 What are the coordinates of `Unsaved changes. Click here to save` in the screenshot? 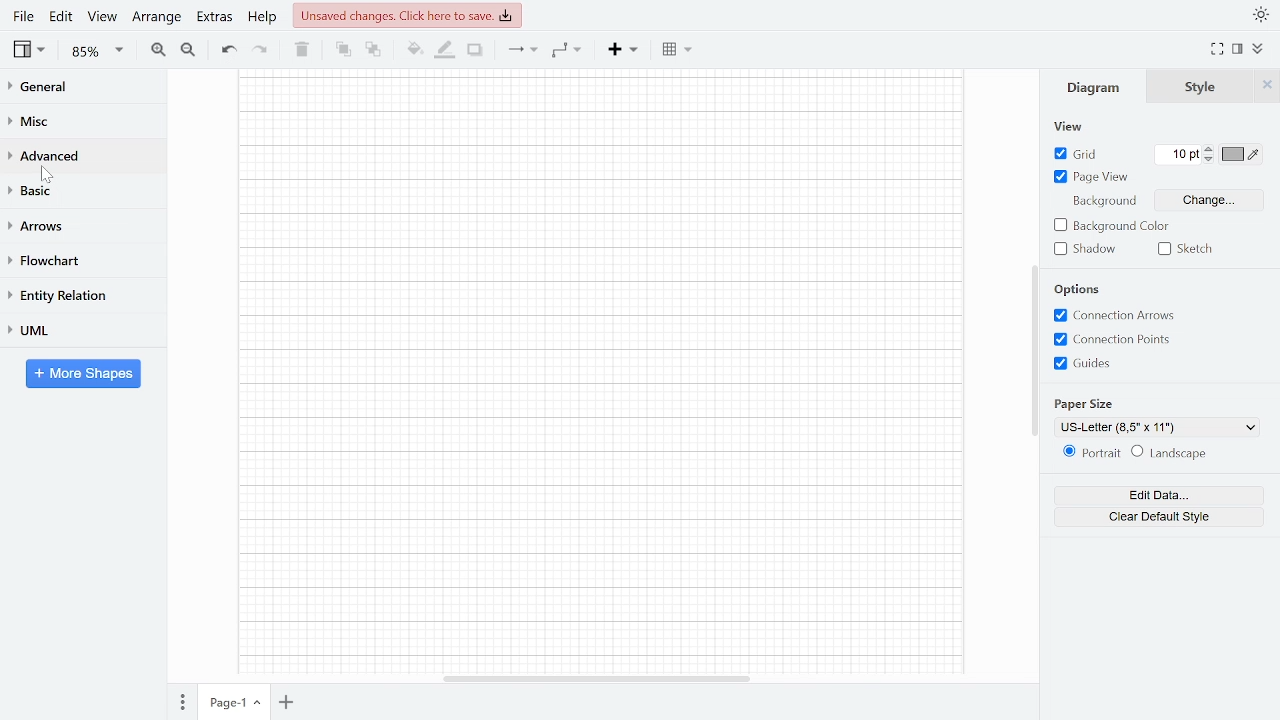 It's located at (406, 15).